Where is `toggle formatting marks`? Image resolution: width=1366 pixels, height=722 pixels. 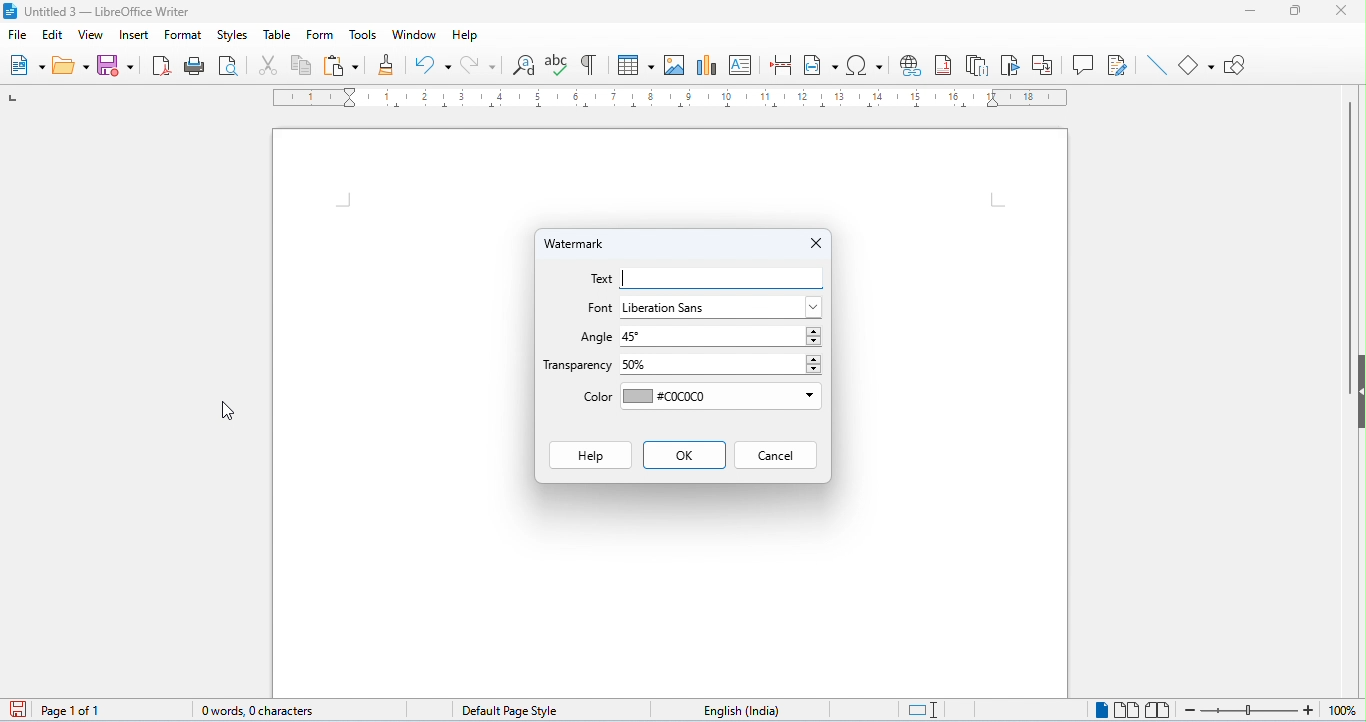 toggle formatting marks is located at coordinates (588, 63).